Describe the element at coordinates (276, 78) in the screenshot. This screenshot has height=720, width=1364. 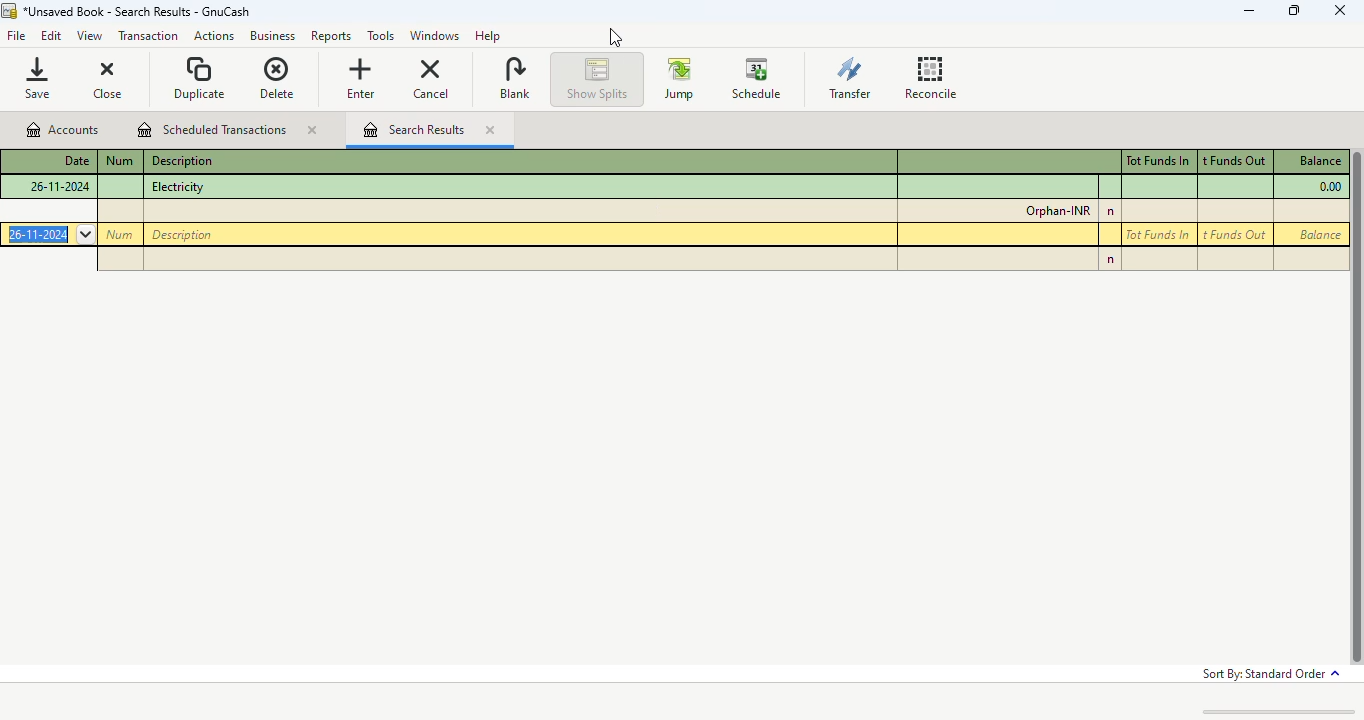
I see `delete` at that location.